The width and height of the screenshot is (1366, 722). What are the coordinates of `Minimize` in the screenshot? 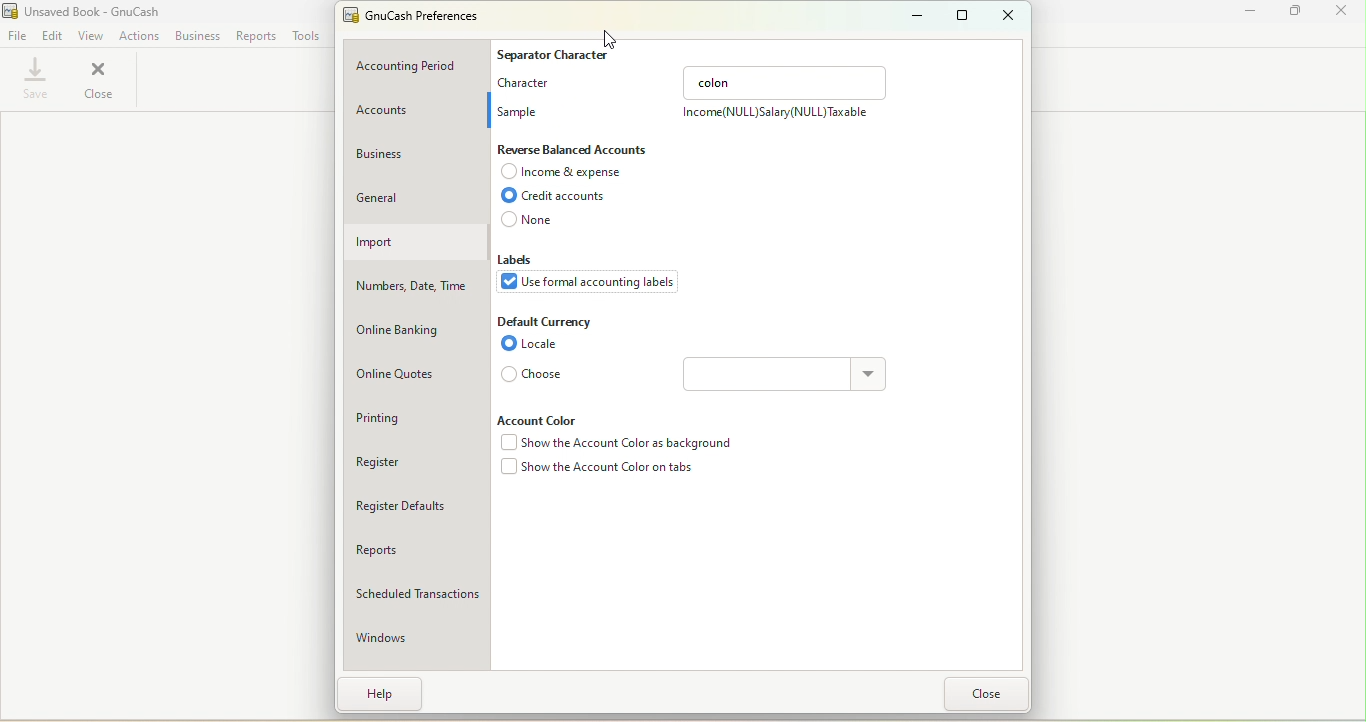 It's located at (1243, 13).